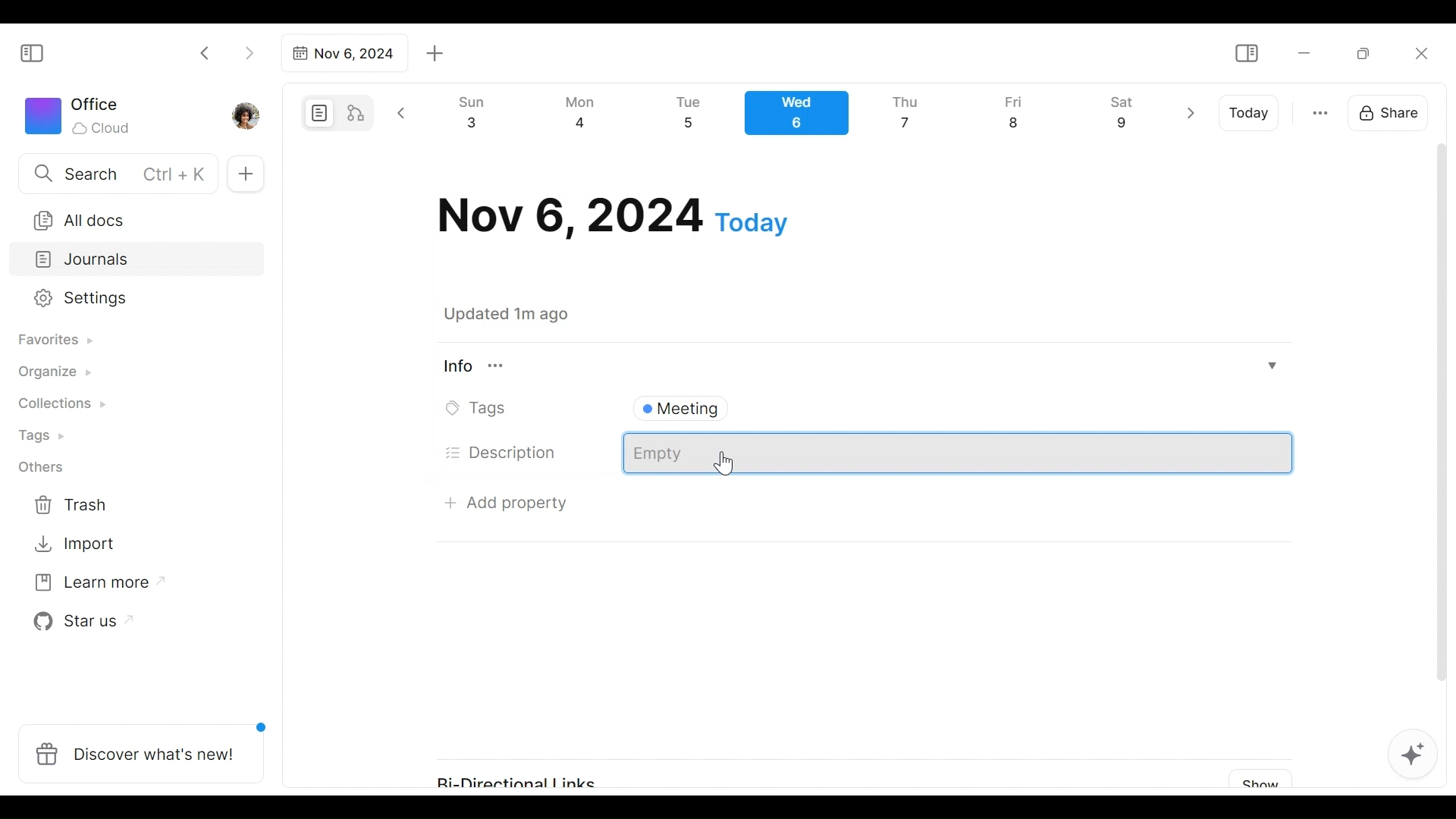 The height and width of the screenshot is (819, 1456). Describe the element at coordinates (507, 502) in the screenshot. I see `Add Property` at that location.